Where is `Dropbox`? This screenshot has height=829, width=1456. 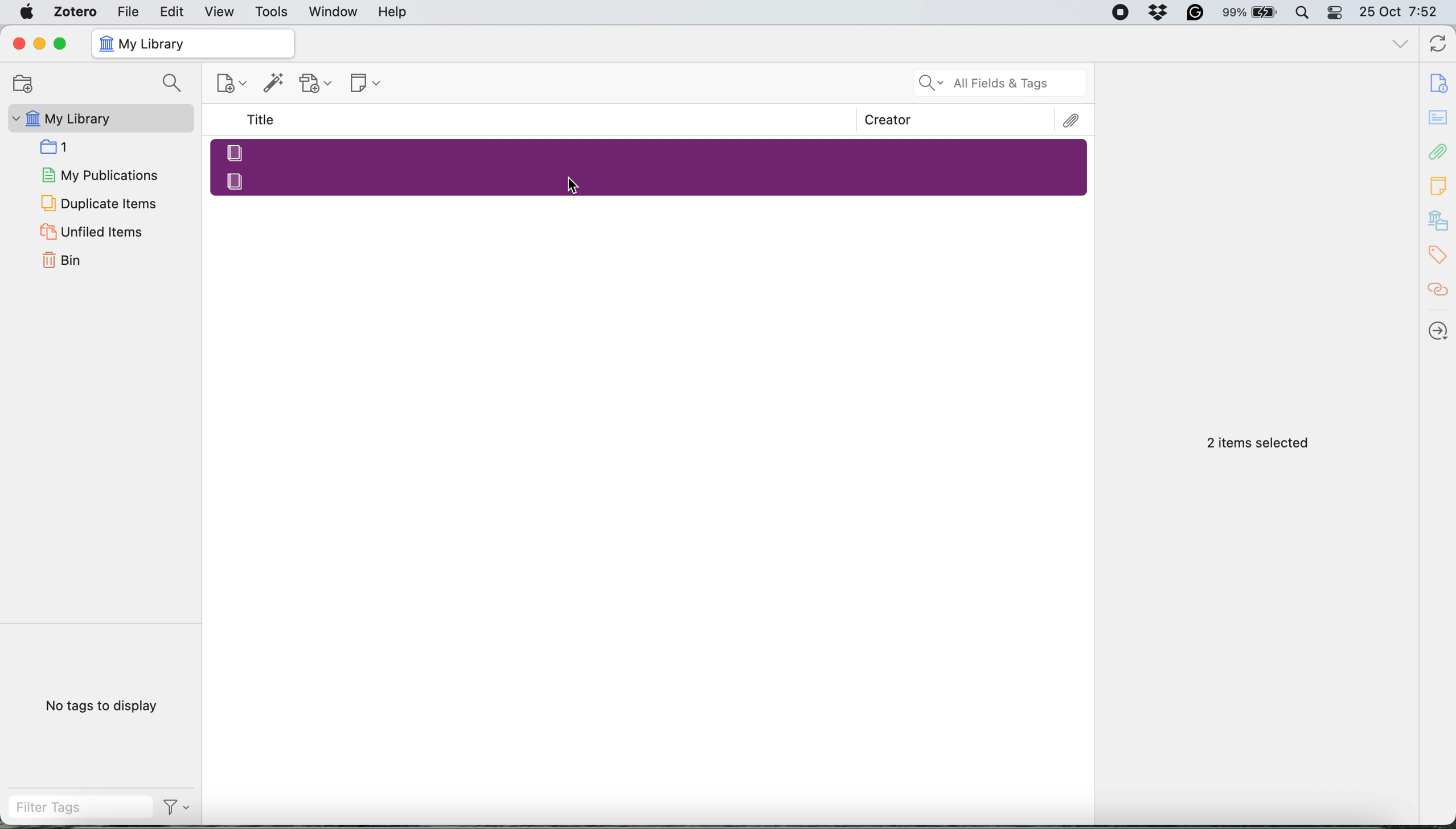 Dropbox is located at coordinates (1159, 12).